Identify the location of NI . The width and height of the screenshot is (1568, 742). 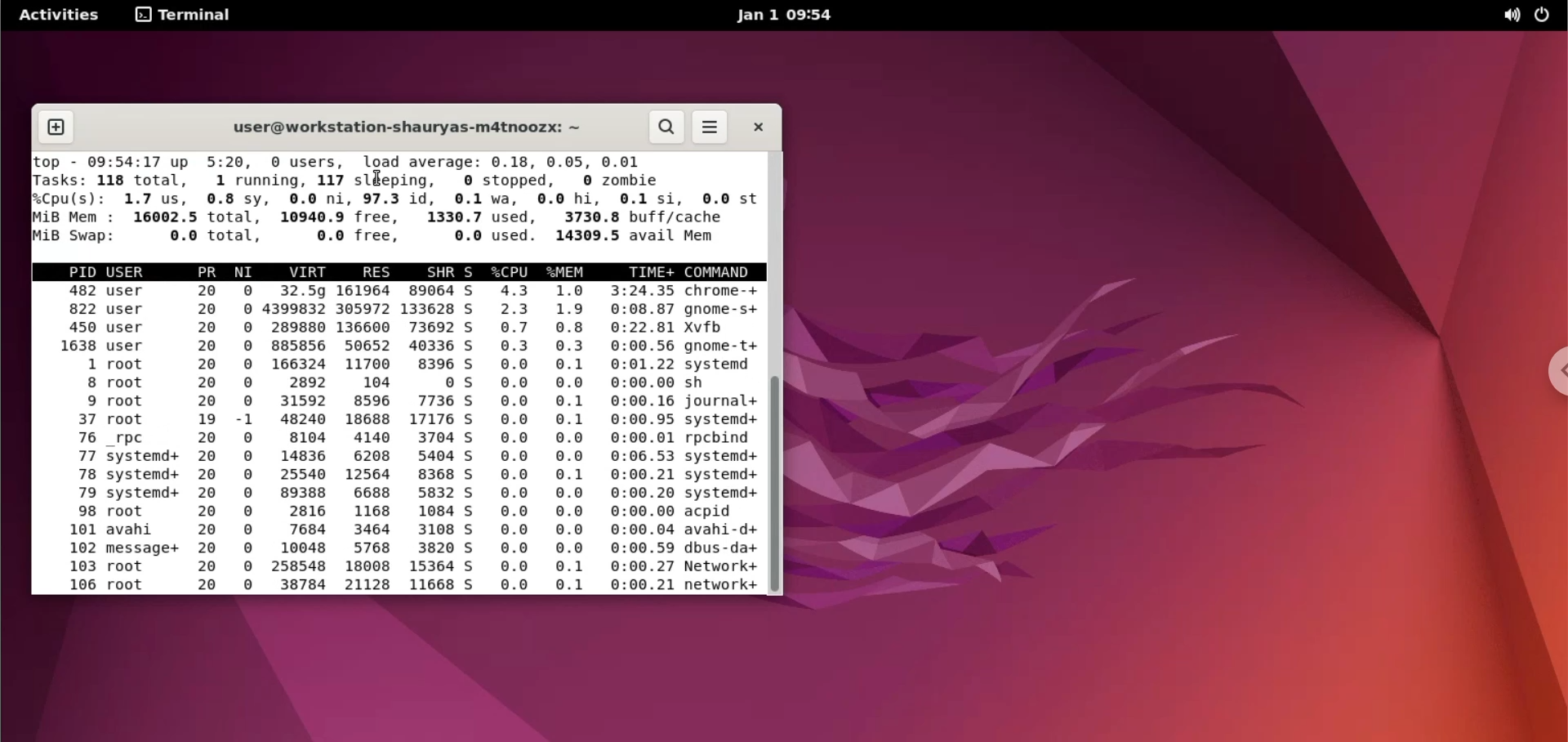
(247, 270).